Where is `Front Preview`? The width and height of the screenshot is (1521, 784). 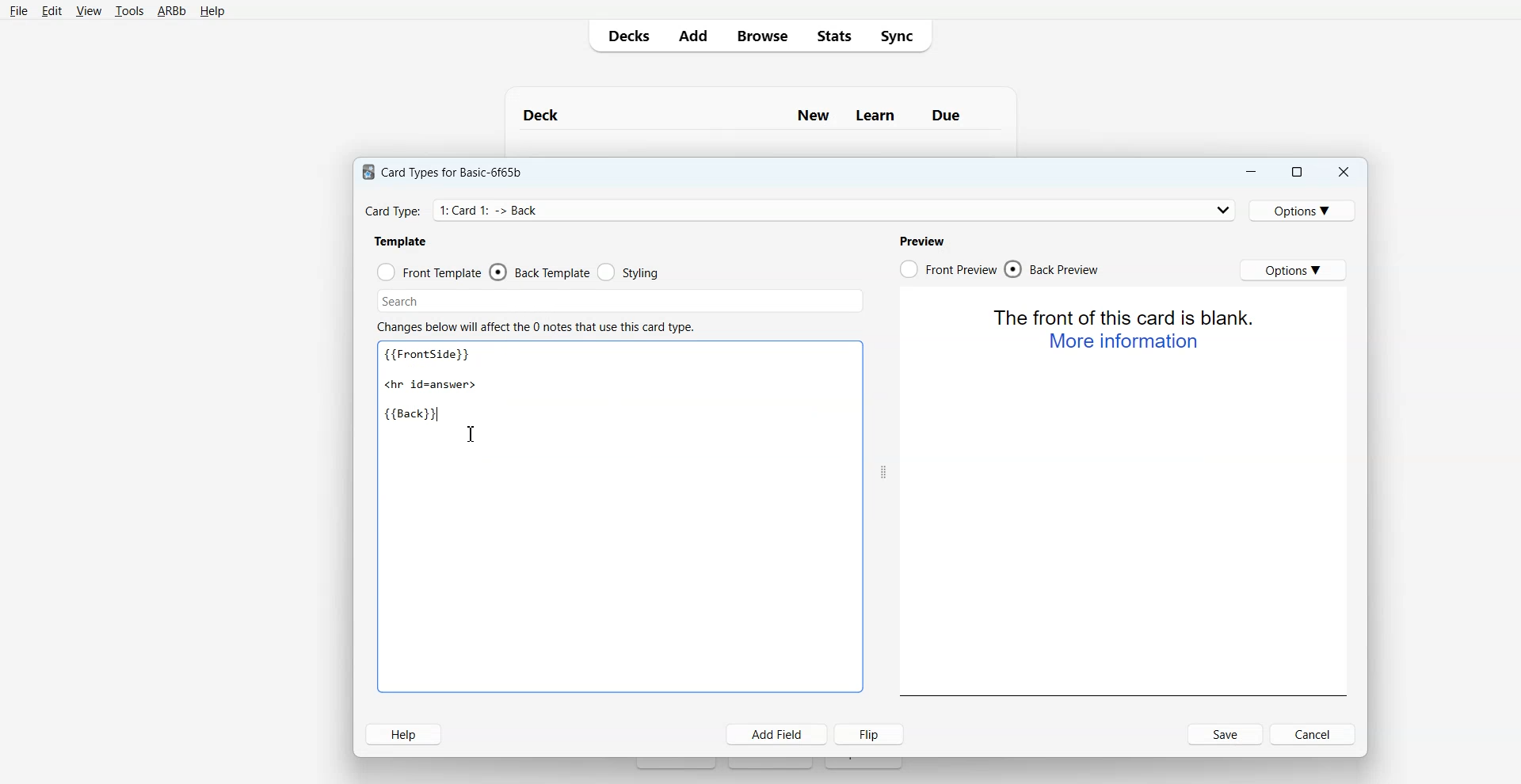
Front Preview is located at coordinates (947, 268).